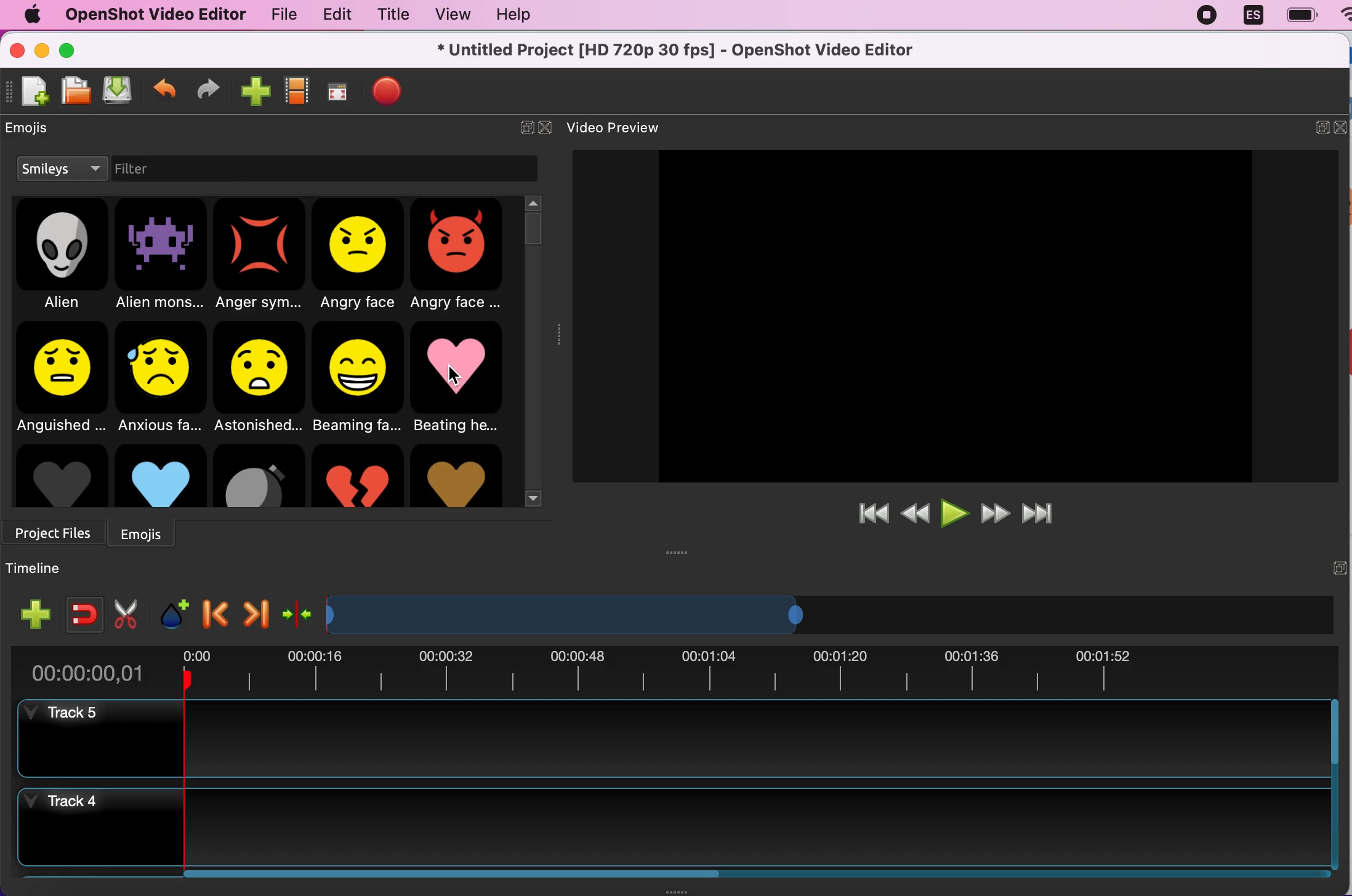 The width and height of the screenshot is (1352, 896). Describe the element at coordinates (16, 54) in the screenshot. I see `close` at that location.